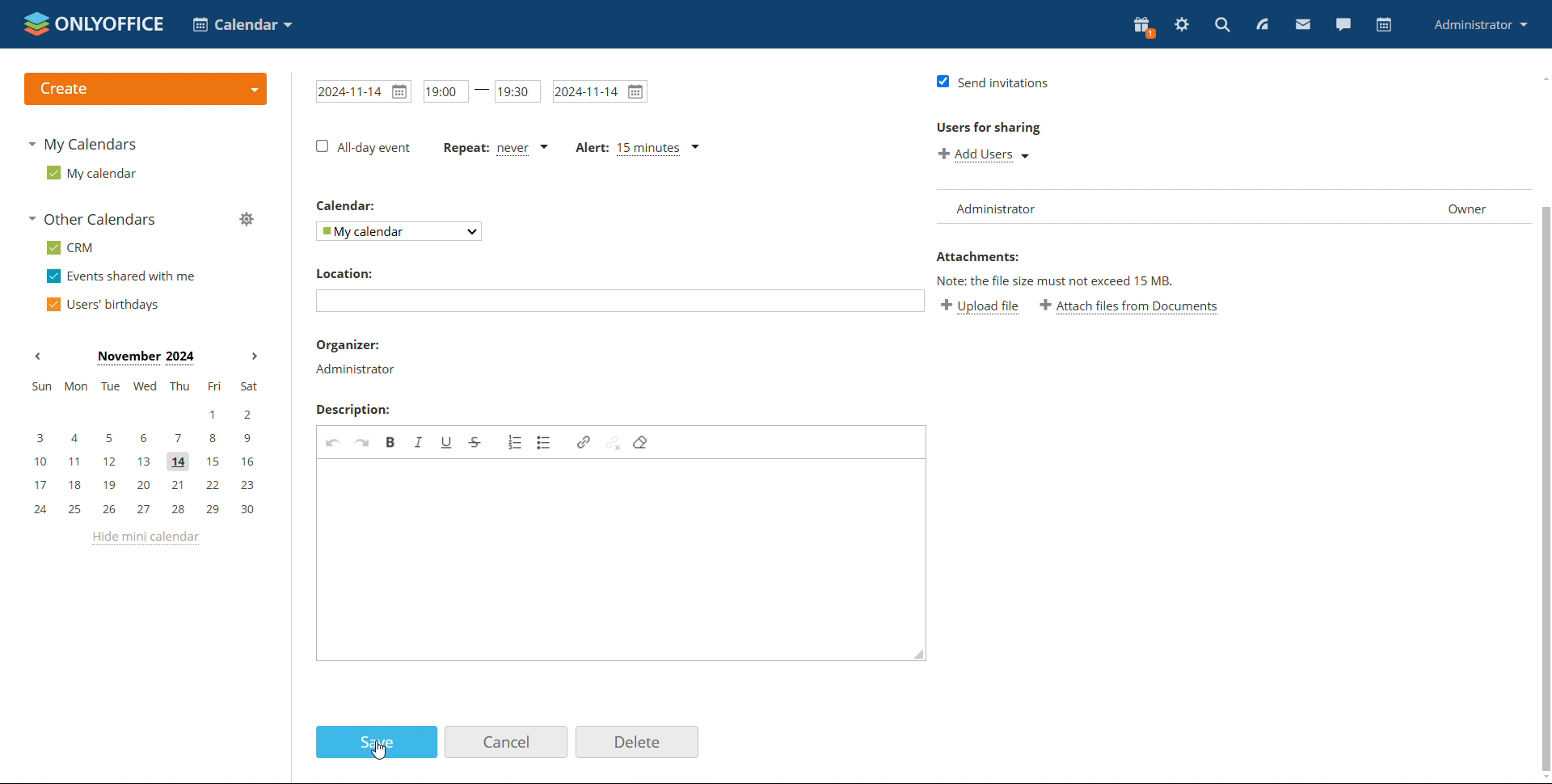  What do you see at coordinates (416, 442) in the screenshot?
I see `italics` at bounding box center [416, 442].